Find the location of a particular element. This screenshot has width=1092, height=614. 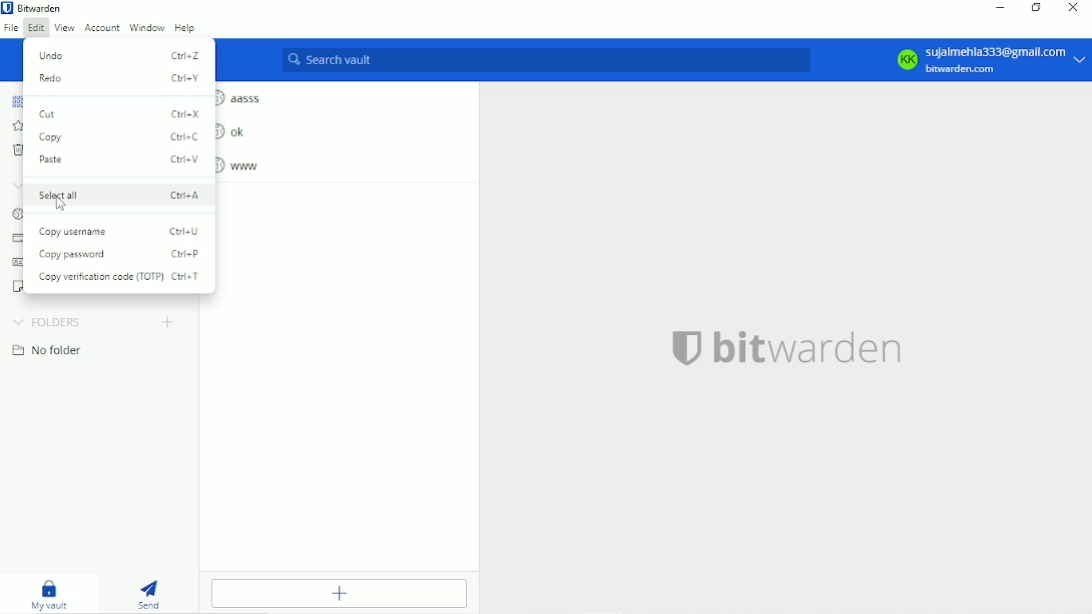

No folder is located at coordinates (49, 350).